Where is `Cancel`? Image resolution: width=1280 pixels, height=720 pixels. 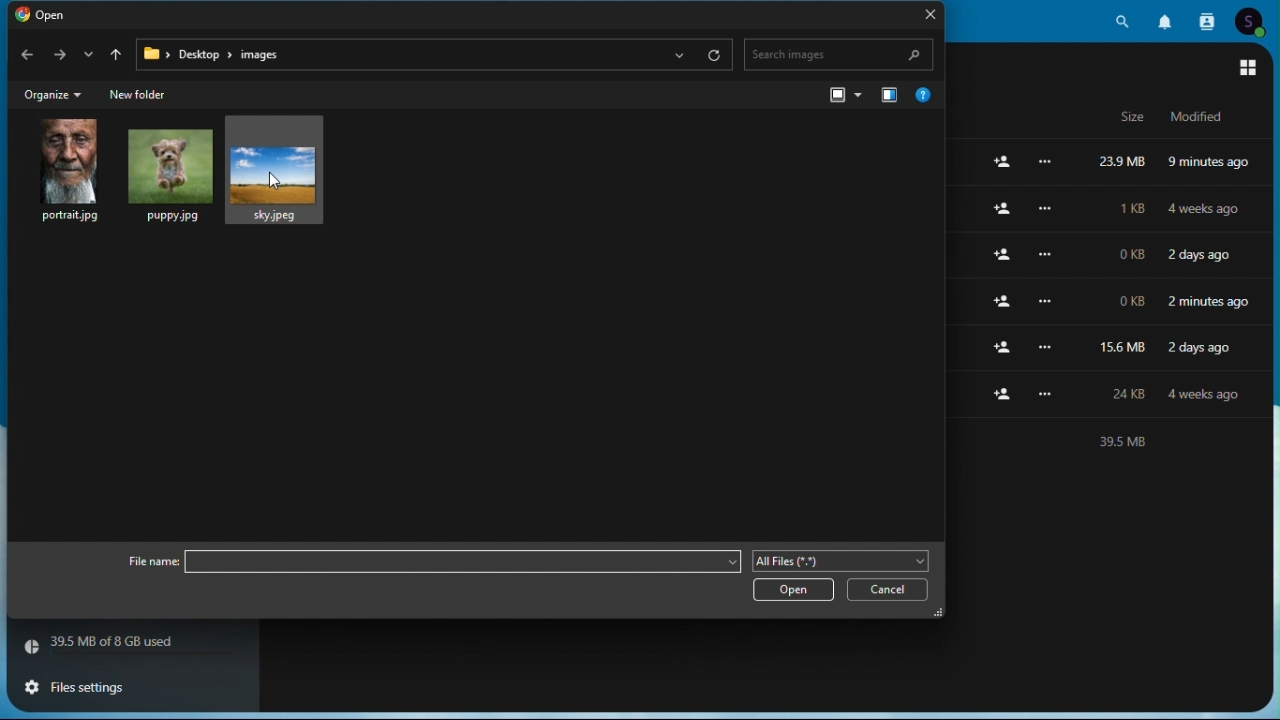 Cancel is located at coordinates (890, 590).